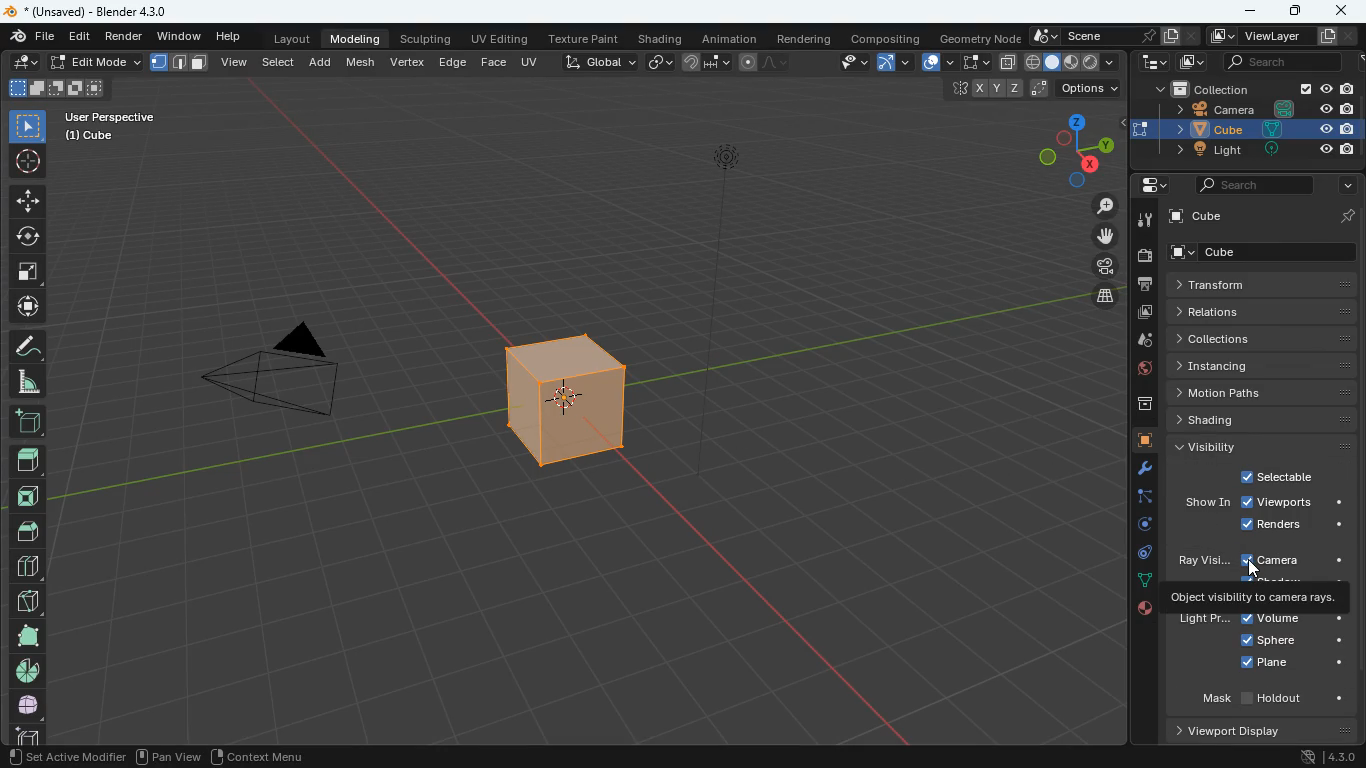 The height and width of the screenshot is (768, 1366). I want to click on search, so click(1252, 184).